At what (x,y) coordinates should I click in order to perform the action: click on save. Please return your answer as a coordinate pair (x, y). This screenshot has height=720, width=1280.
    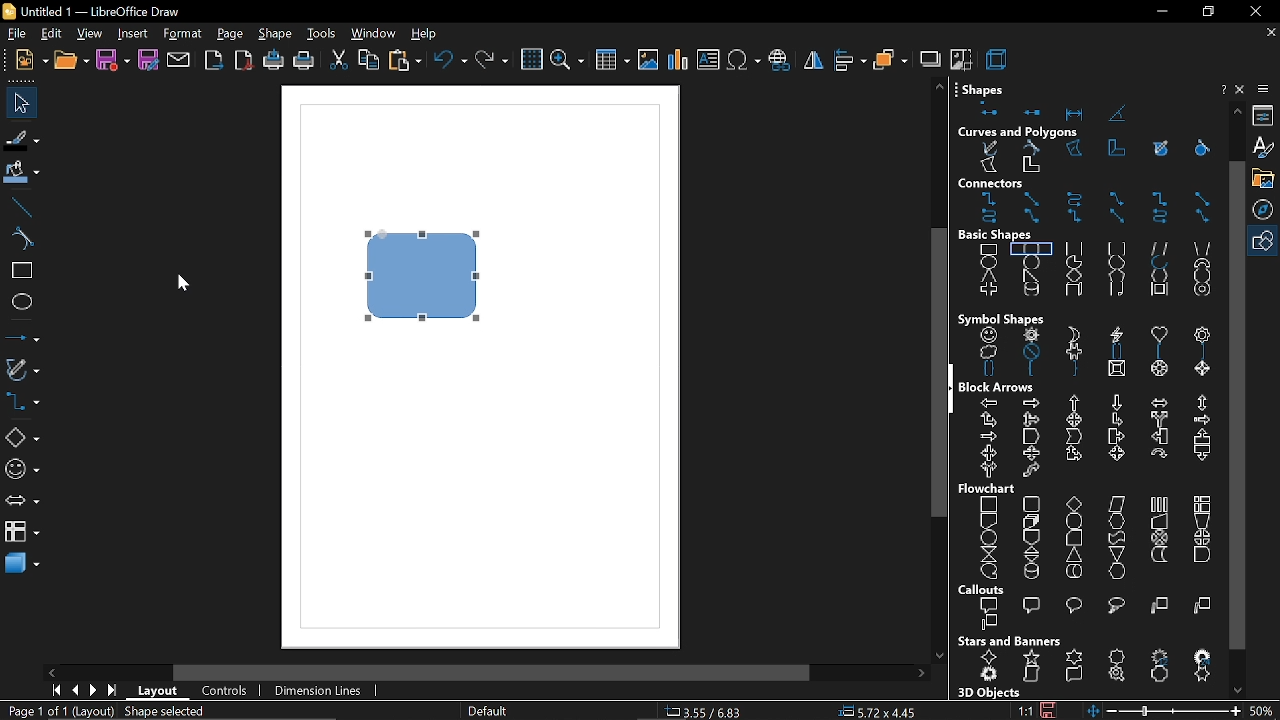
    Looking at the image, I should click on (1048, 708).